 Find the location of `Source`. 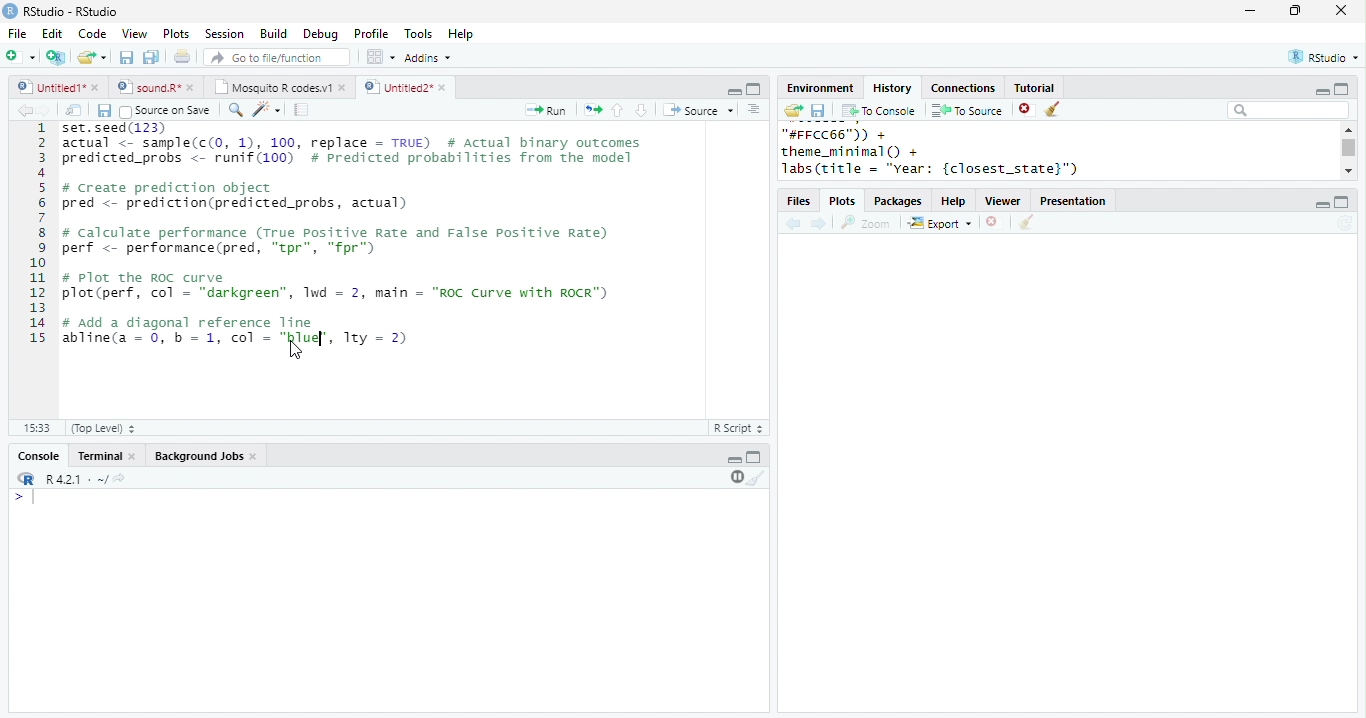

Source is located at coordinates (700, 110).